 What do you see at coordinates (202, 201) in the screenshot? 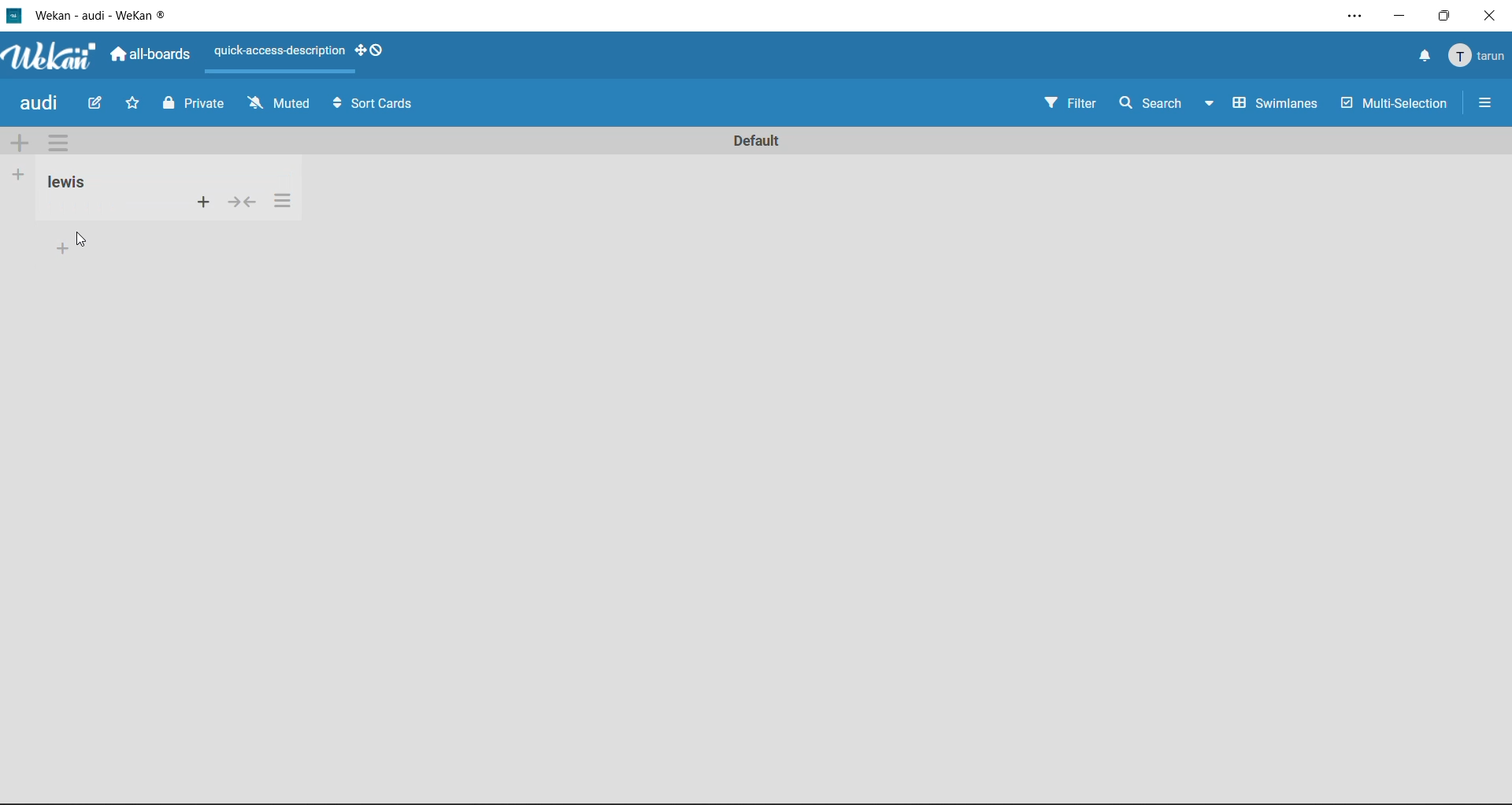
I see `` at bounding box center [202, 201].